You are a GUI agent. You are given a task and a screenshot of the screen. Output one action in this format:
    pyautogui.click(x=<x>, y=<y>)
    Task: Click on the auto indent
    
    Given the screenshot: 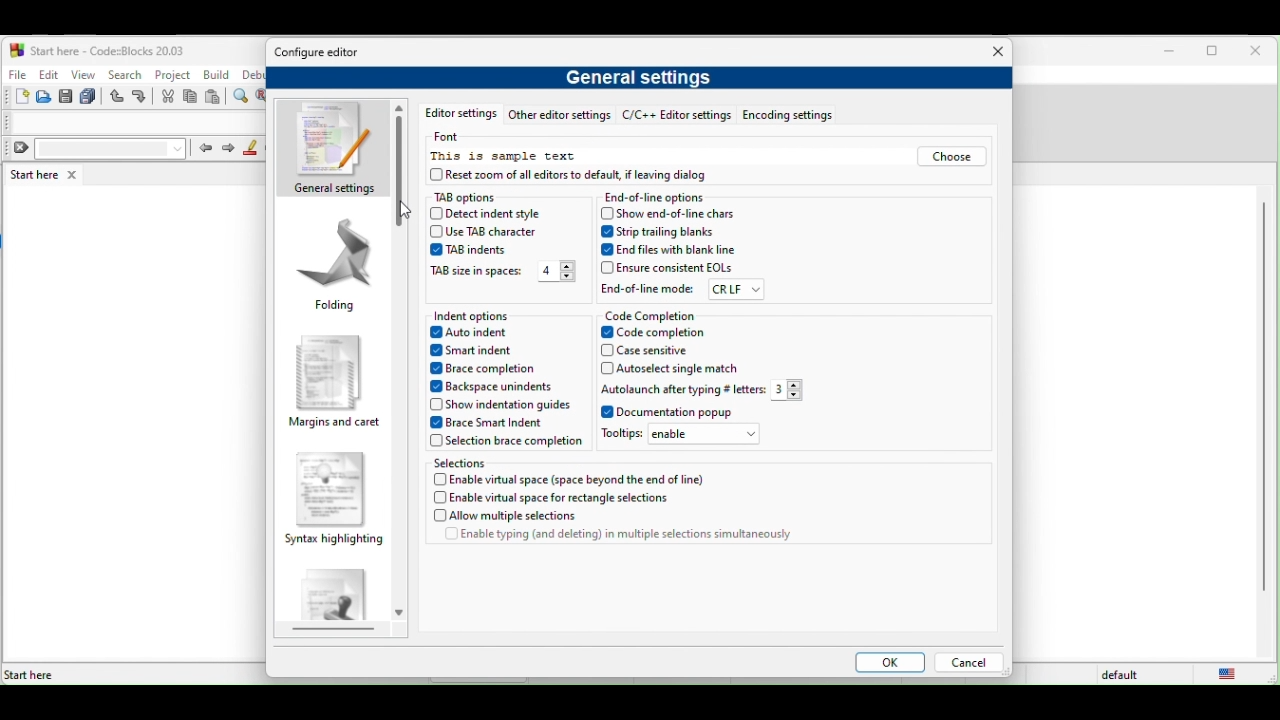 What is the action you would take?
    pyautogui.click(x=476, y=334)
    